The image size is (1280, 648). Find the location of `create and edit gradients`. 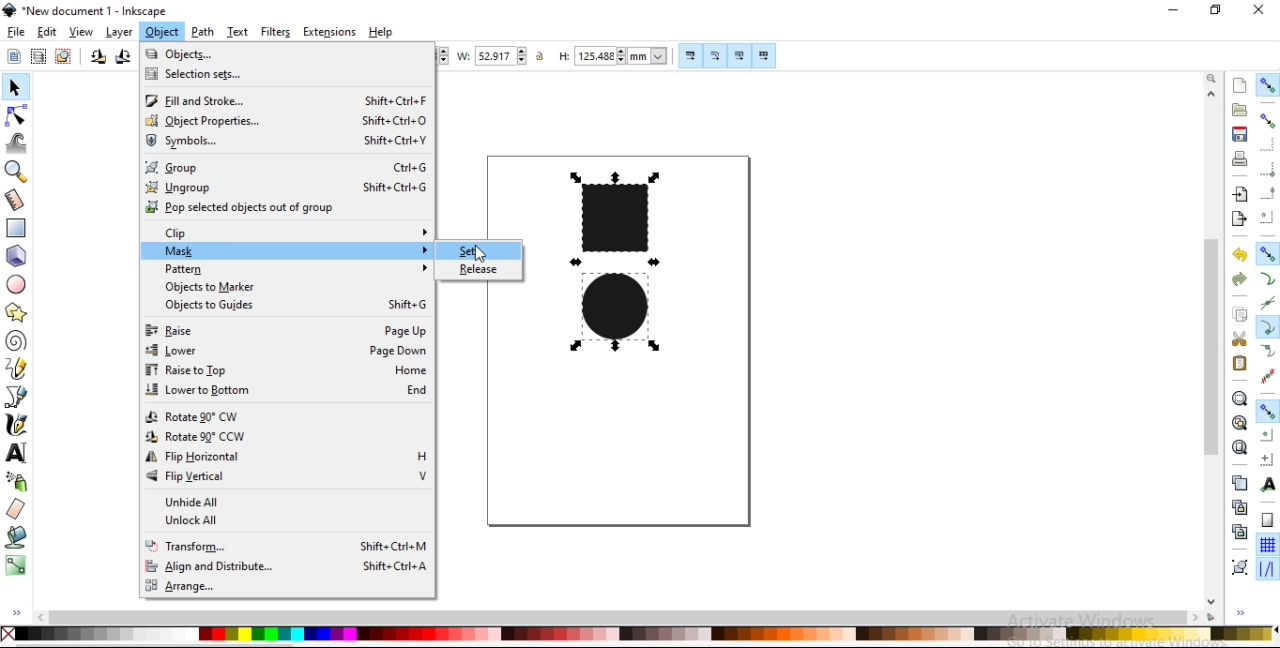

create and edit gradients is located at coordinates (17, 566).